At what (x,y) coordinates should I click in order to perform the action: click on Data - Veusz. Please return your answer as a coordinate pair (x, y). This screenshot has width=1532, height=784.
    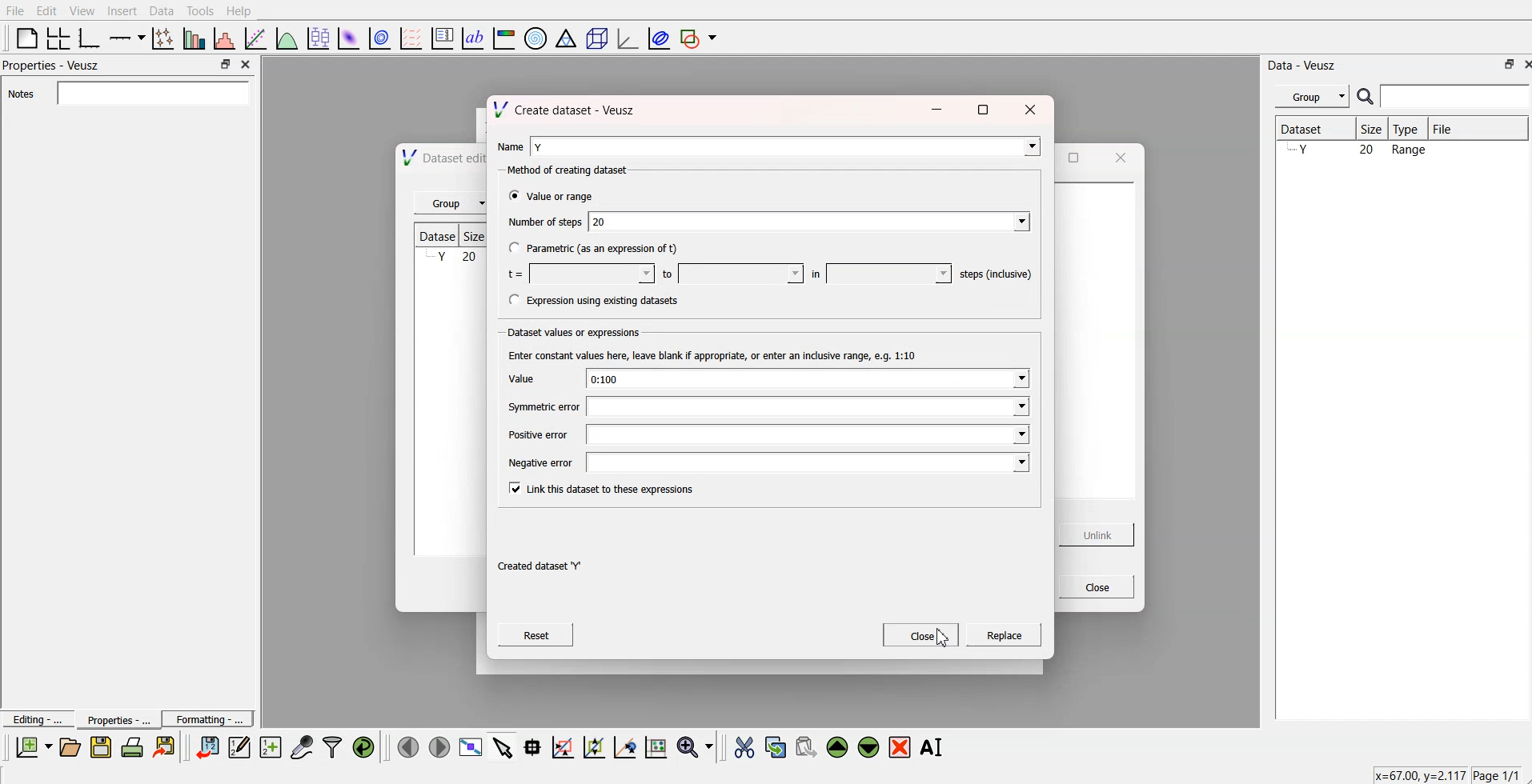
    Looking at the image, I should click on (1308, 64).